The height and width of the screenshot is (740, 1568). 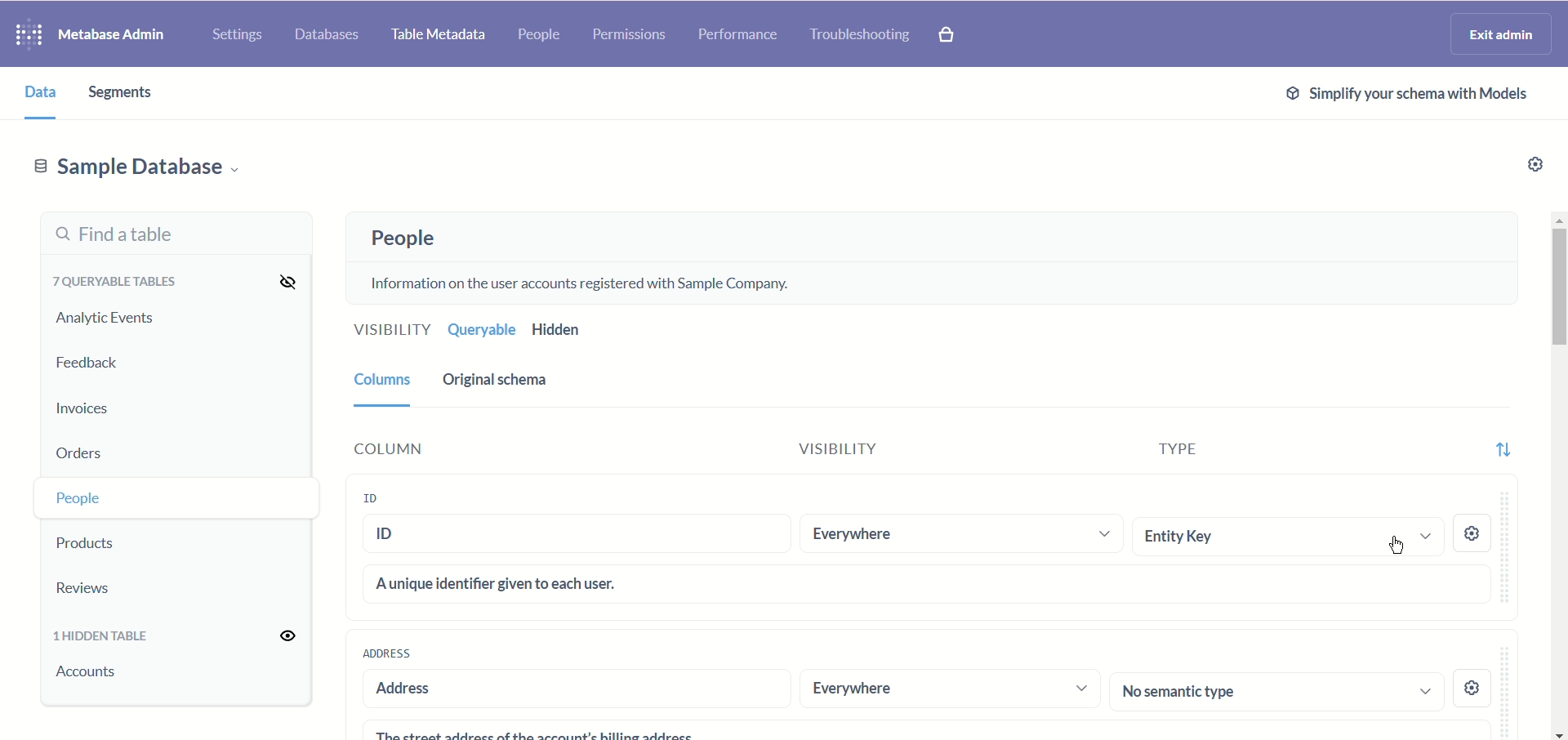 What do you see at coordinates (736, 35) in the screenshot?
I see `Performance` at bounding box center [736, 35].